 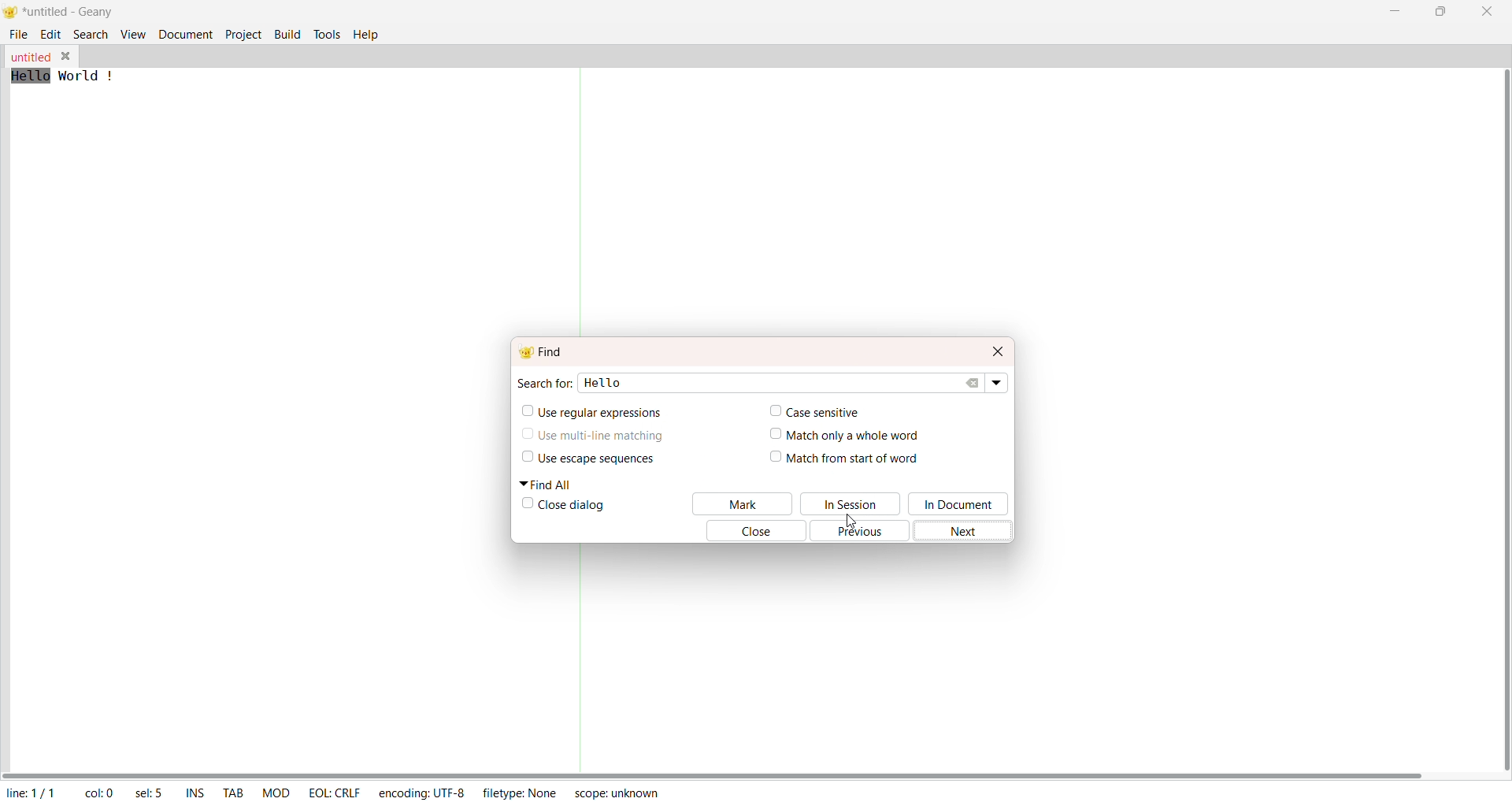 What do you see at coordinates (192, 791) in the screenshot?
I see `INS` at bounding box center [192, 791].